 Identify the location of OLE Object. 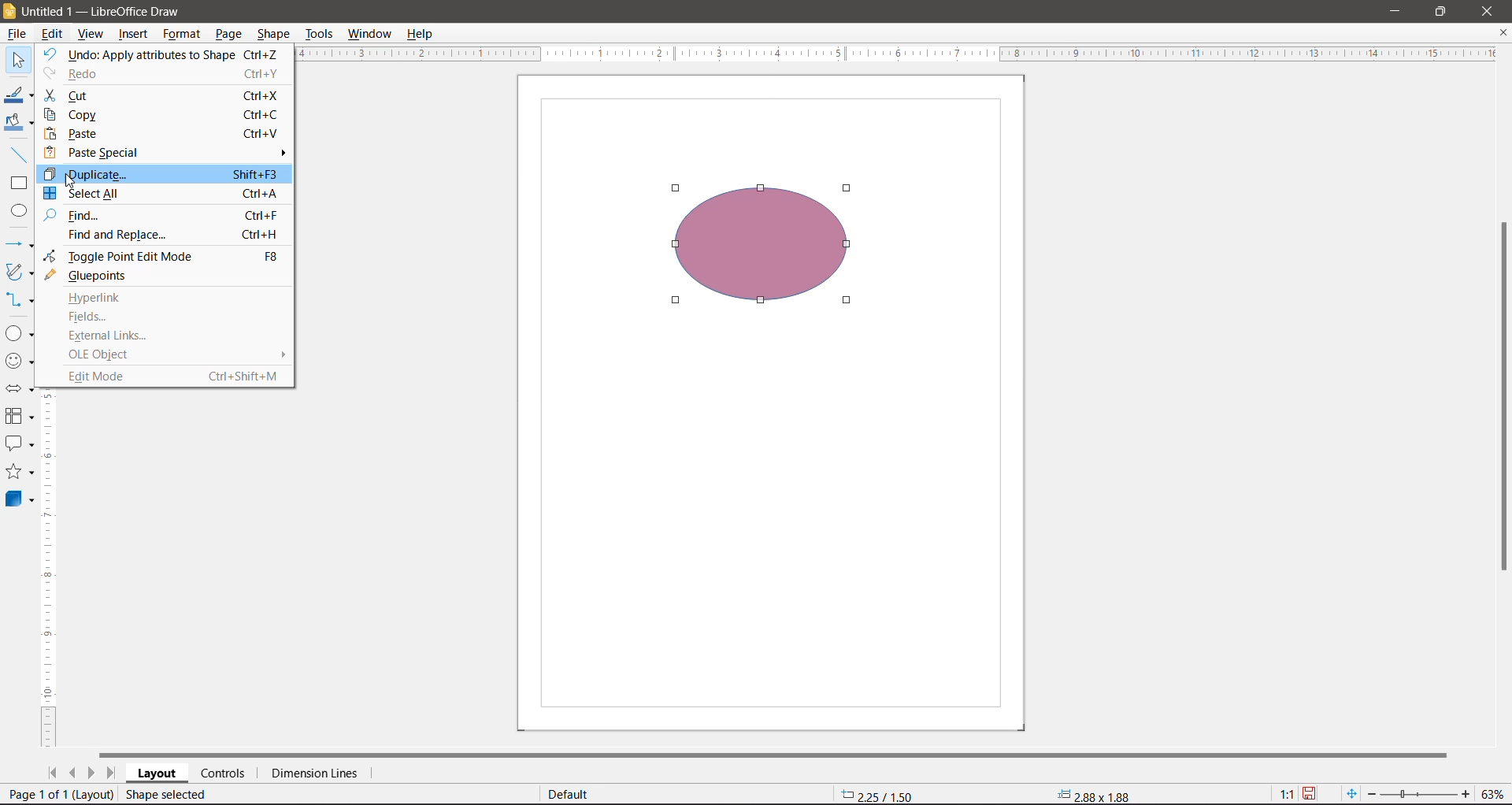
(97, 356).